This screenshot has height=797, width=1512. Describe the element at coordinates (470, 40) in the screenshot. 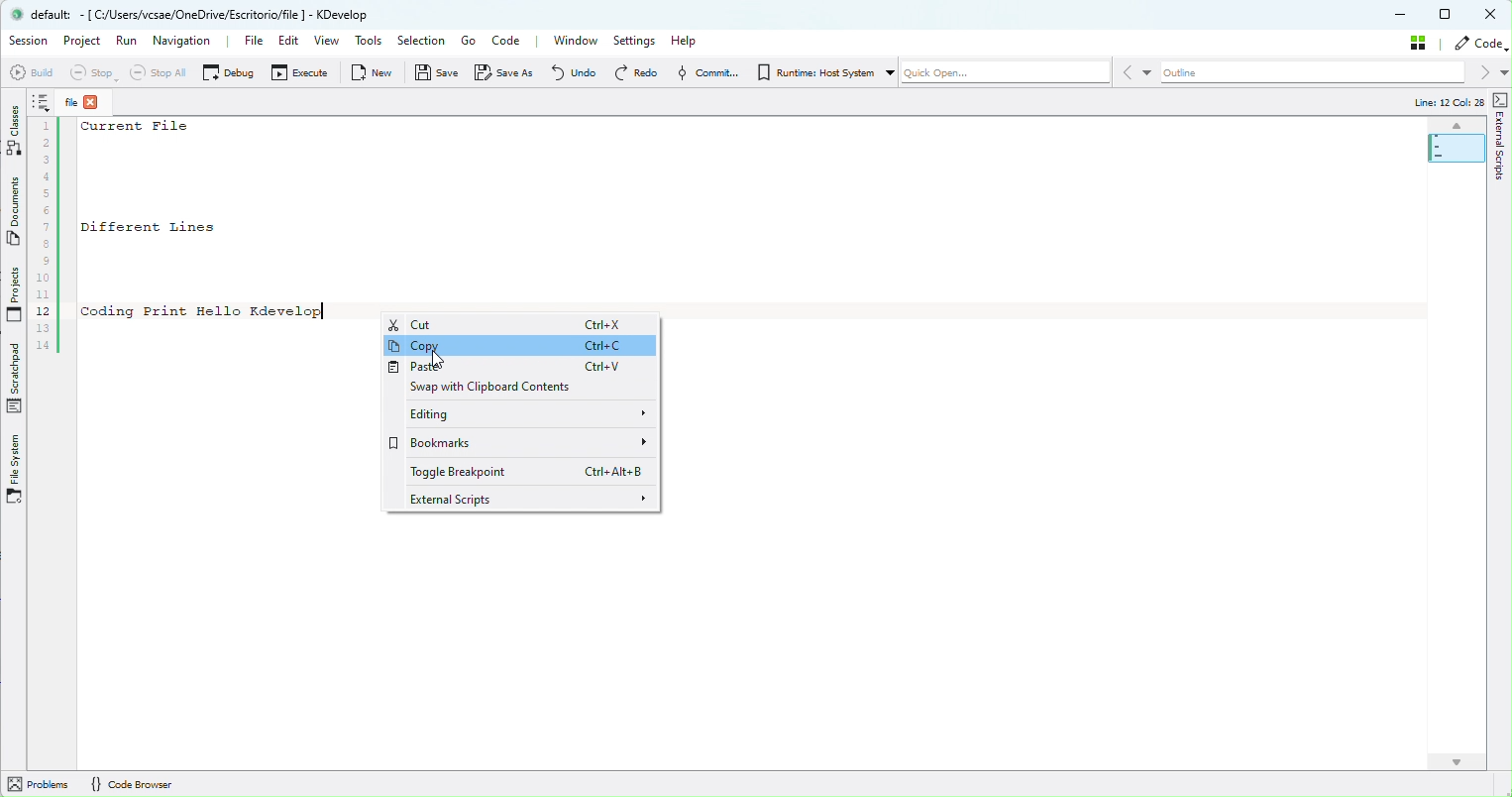

I see `Go` at that location.